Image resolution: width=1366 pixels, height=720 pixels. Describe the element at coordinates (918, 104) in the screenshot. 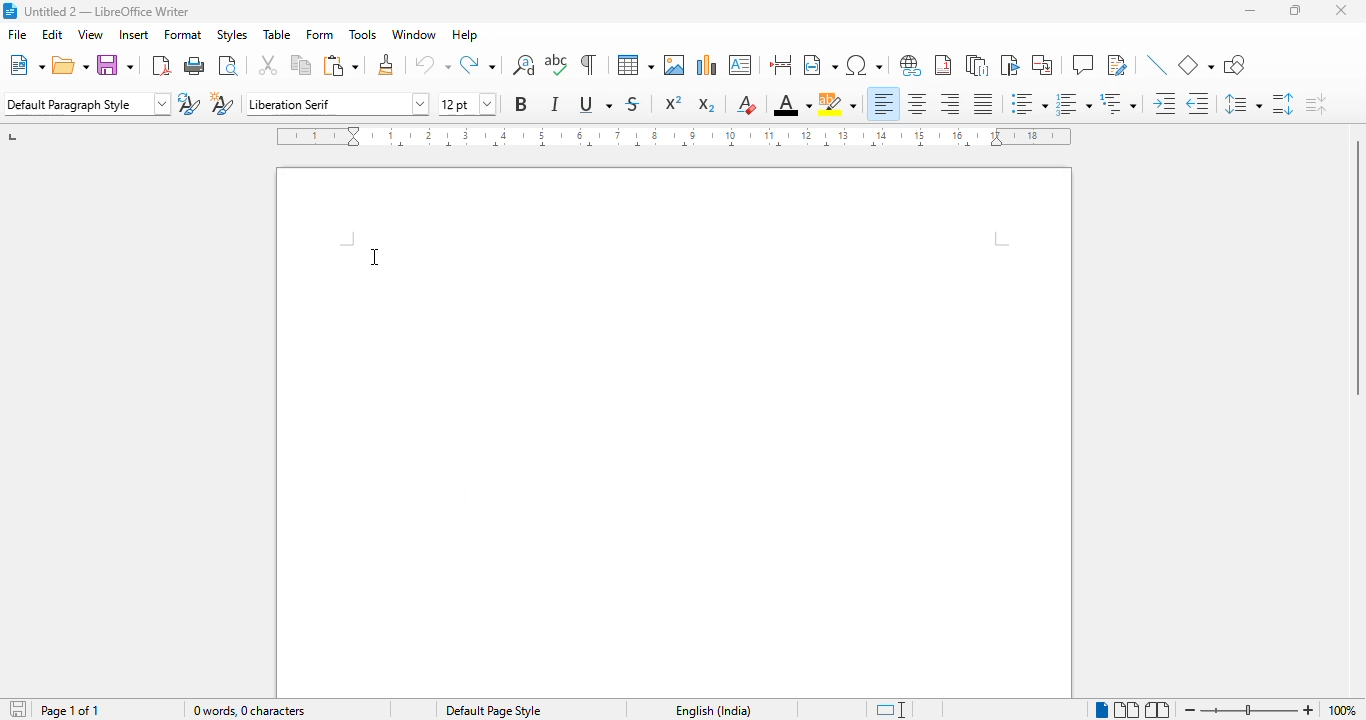

I see `align center` at that location.